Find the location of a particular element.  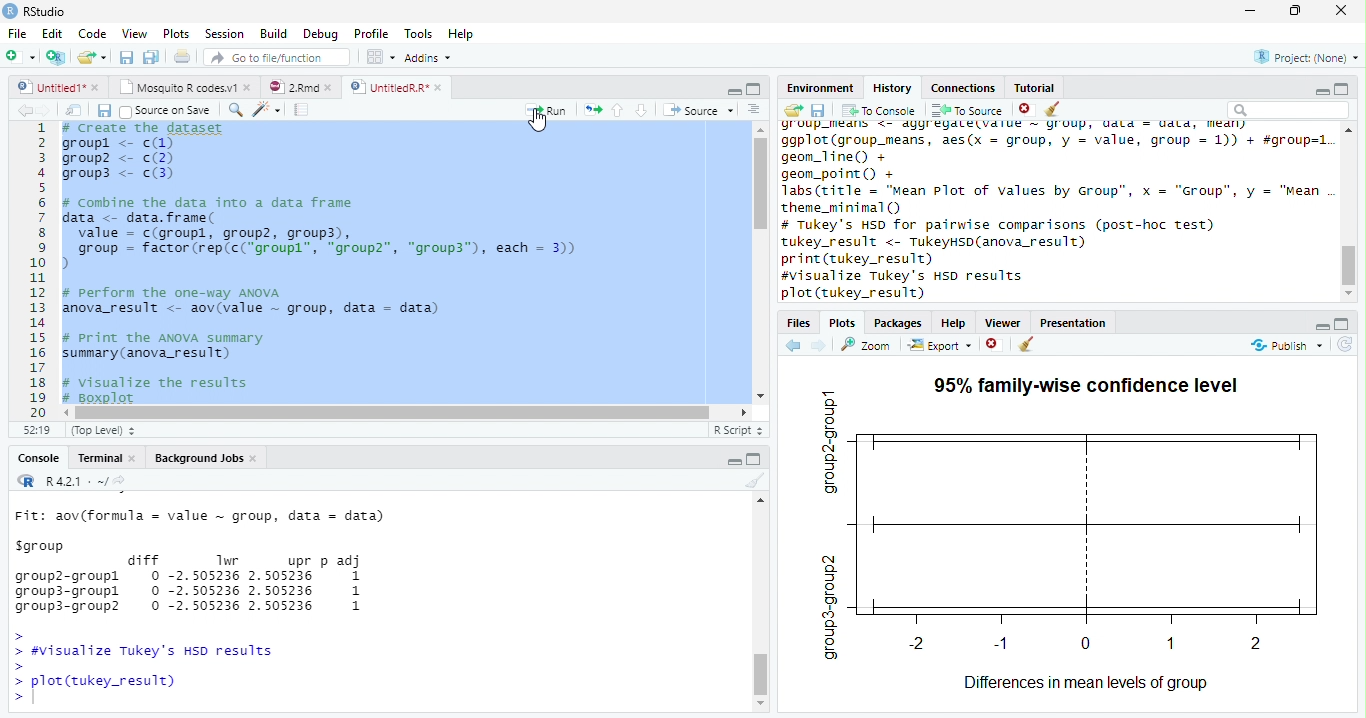

Next is located at coordinates (819, 346).